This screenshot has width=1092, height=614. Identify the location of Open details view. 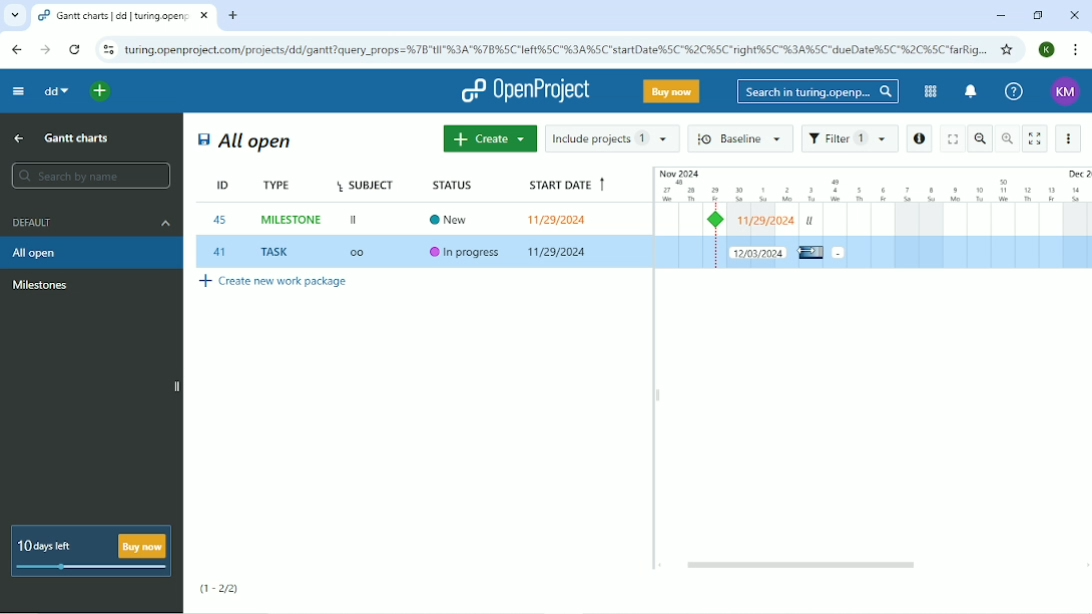
(919, 139).